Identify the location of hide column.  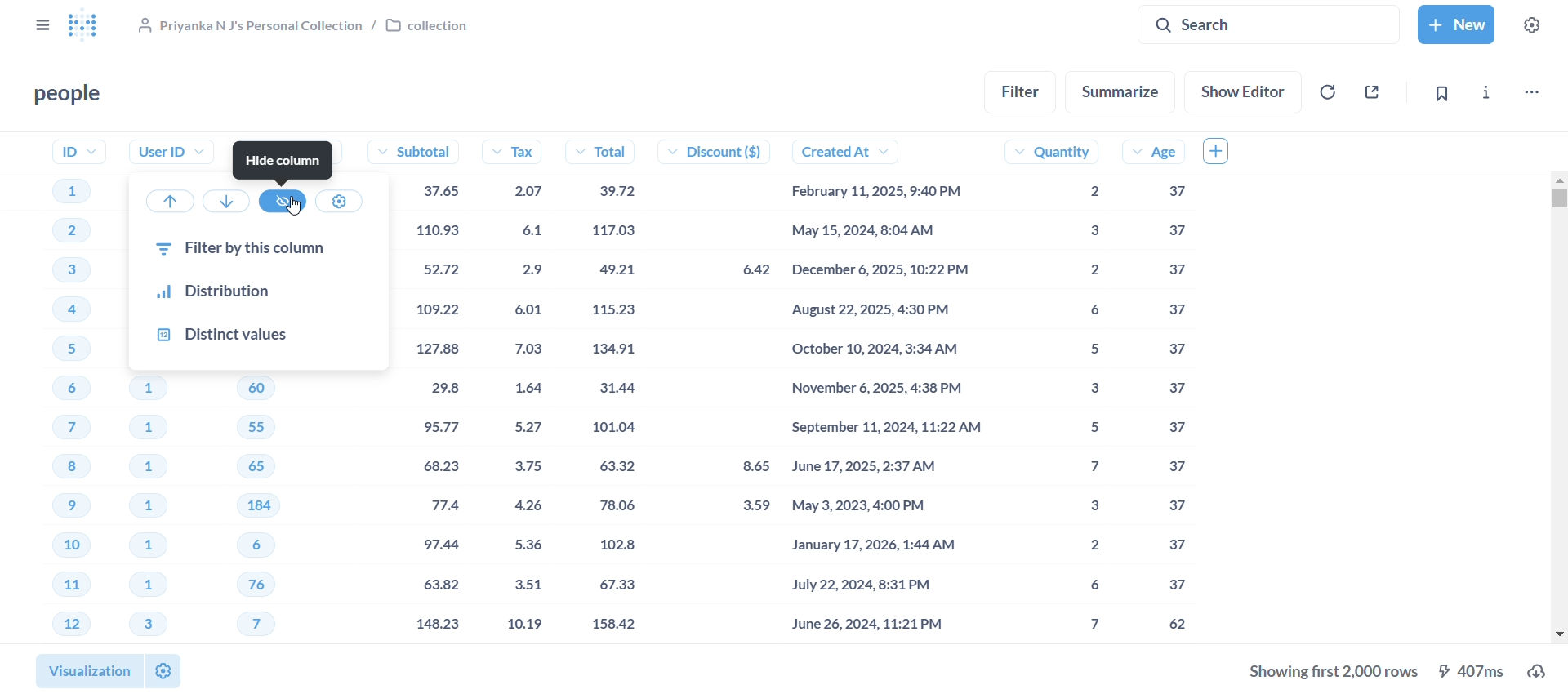
(282, 202).